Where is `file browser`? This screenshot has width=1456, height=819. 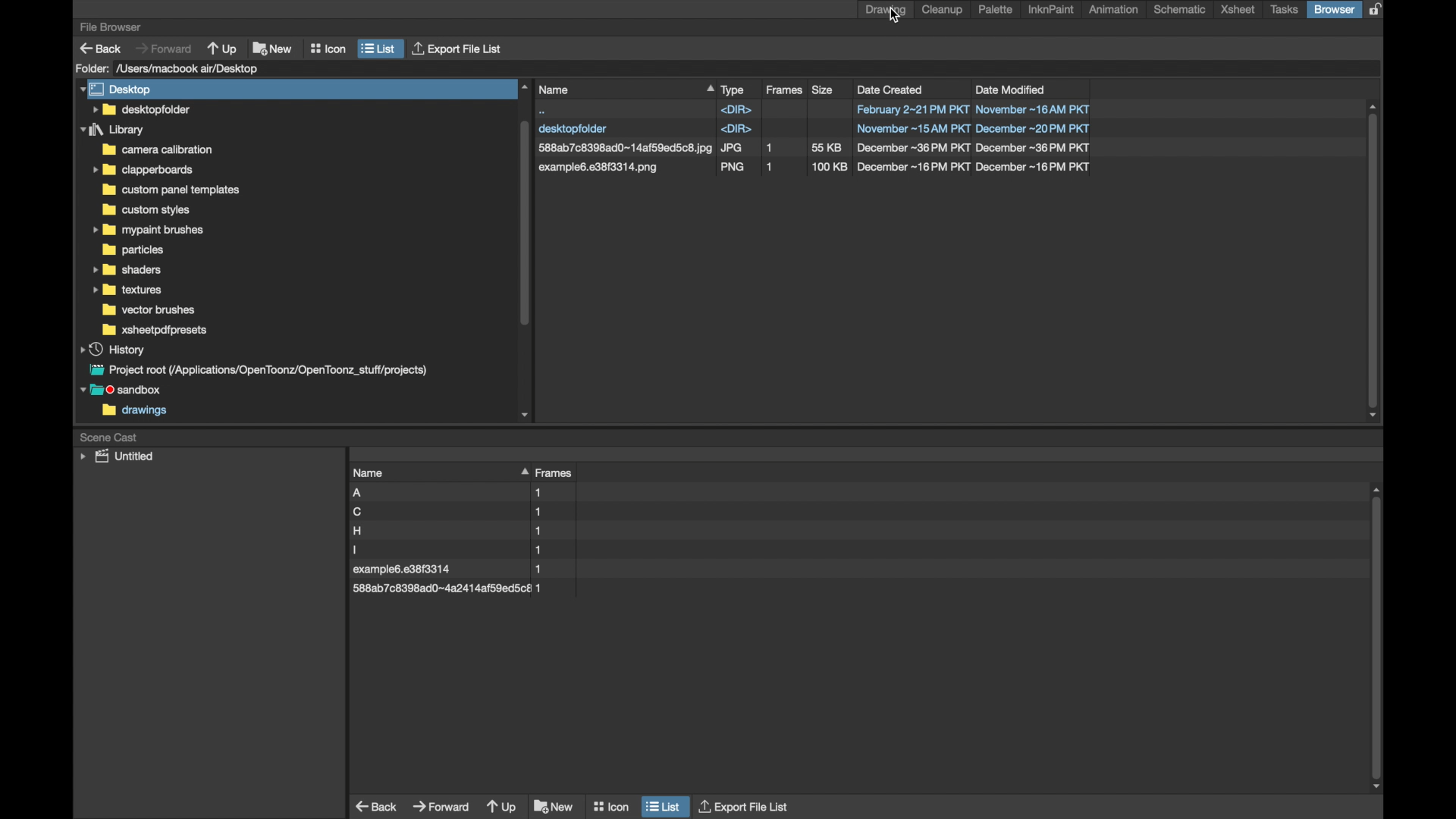 file browser is located at coordinates (110, 27).